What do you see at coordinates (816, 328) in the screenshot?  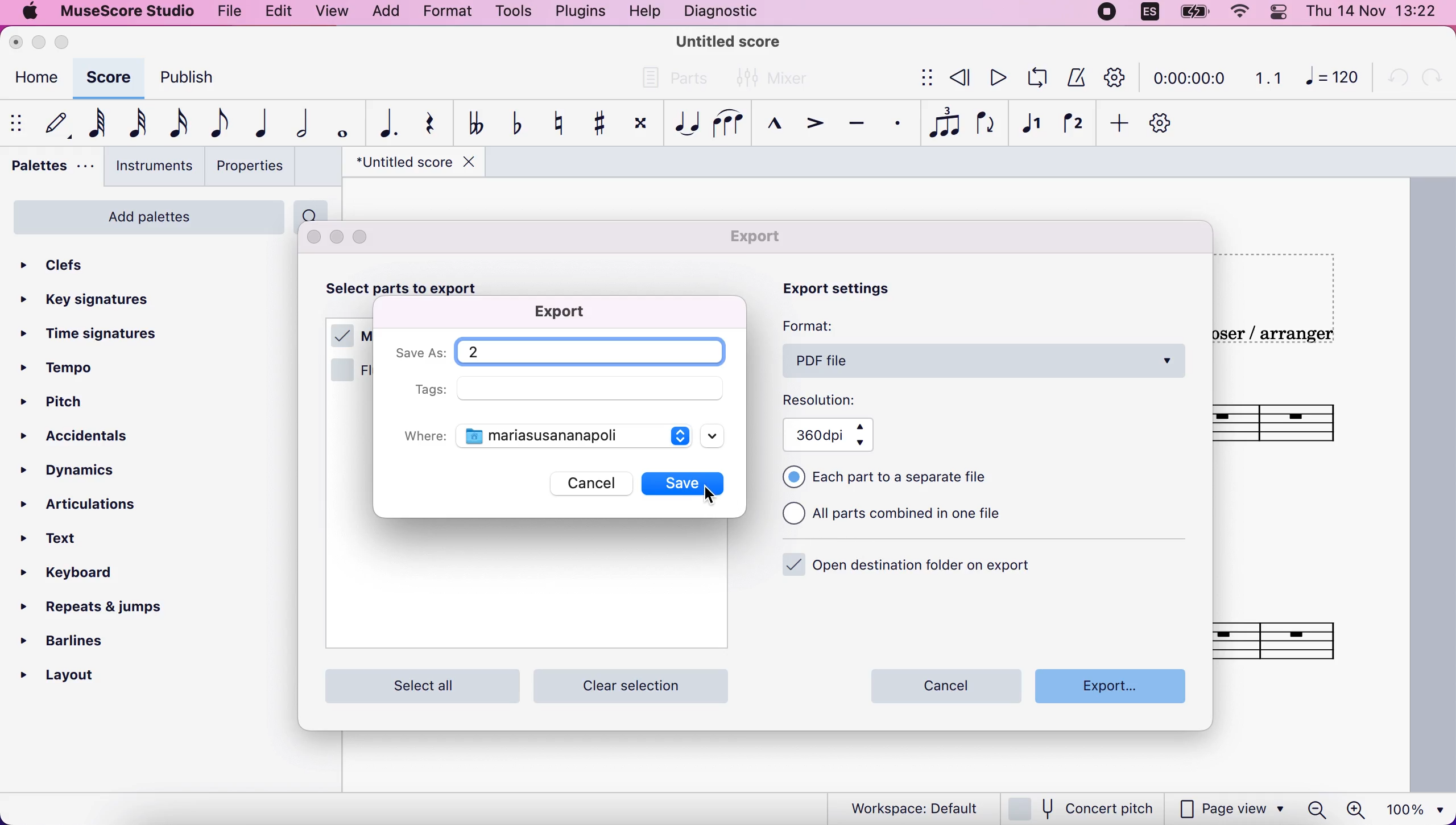 I see `format` at bounding box center [816, 328].